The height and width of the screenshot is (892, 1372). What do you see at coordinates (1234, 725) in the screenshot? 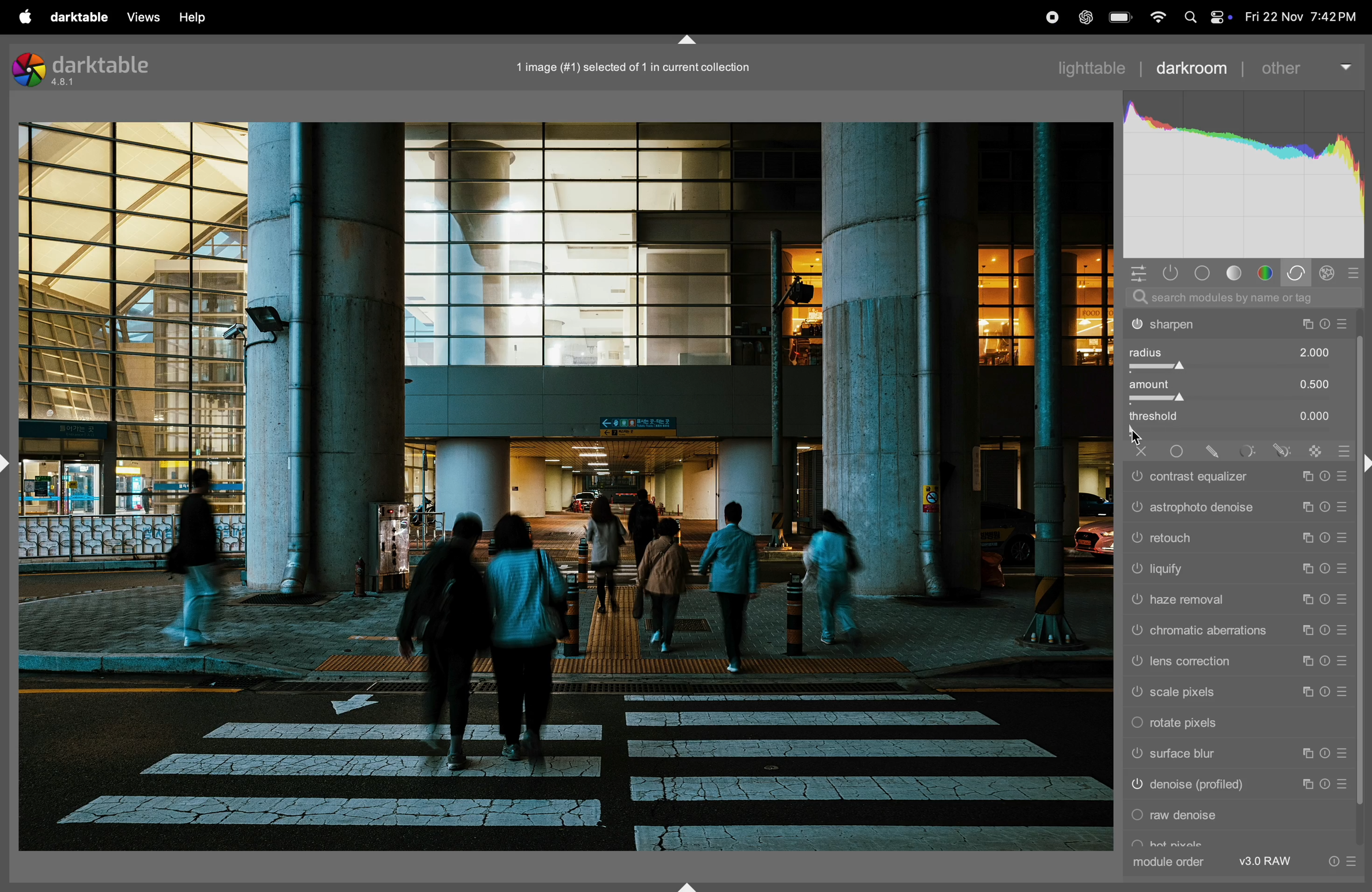
I see `rotate pixels` at bounding box center [1234, 725].